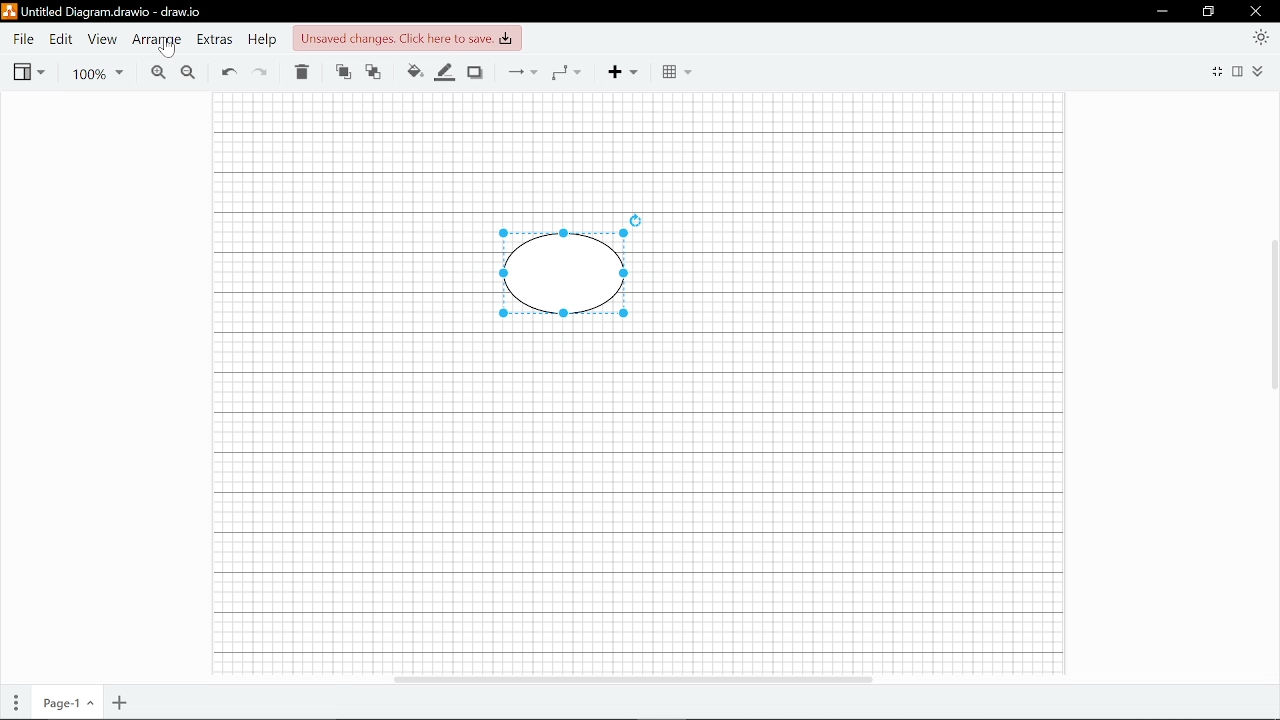 This screenshot has height=720, width=1280. Describe the element at coordinates (557, 276) in the screenshot. I see `Diagram in the canvas` at that location.